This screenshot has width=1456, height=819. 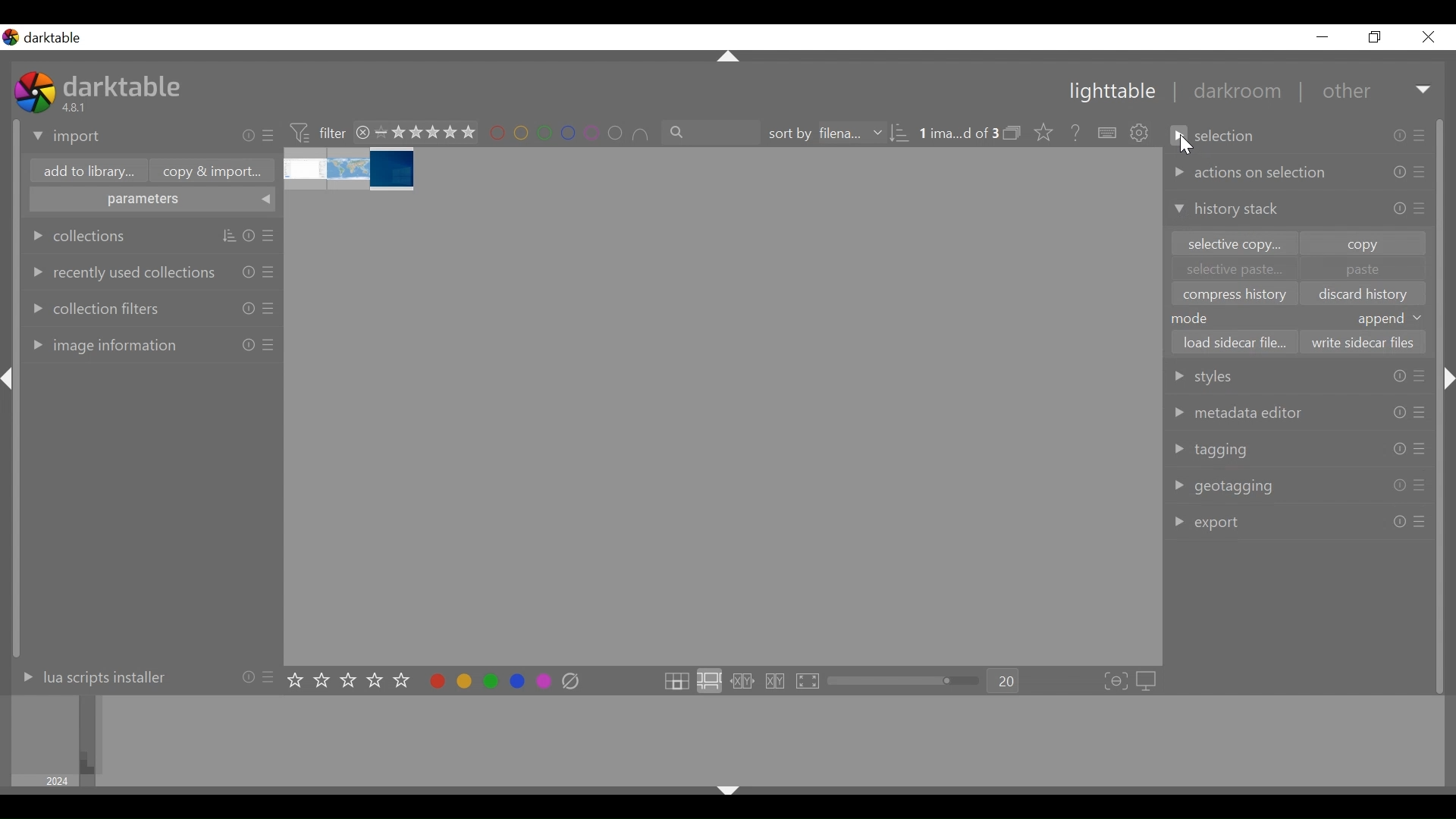 What do you see at coordinates (247, 676) in the screenshot?
I see `info` at bounding box center [247, 676].